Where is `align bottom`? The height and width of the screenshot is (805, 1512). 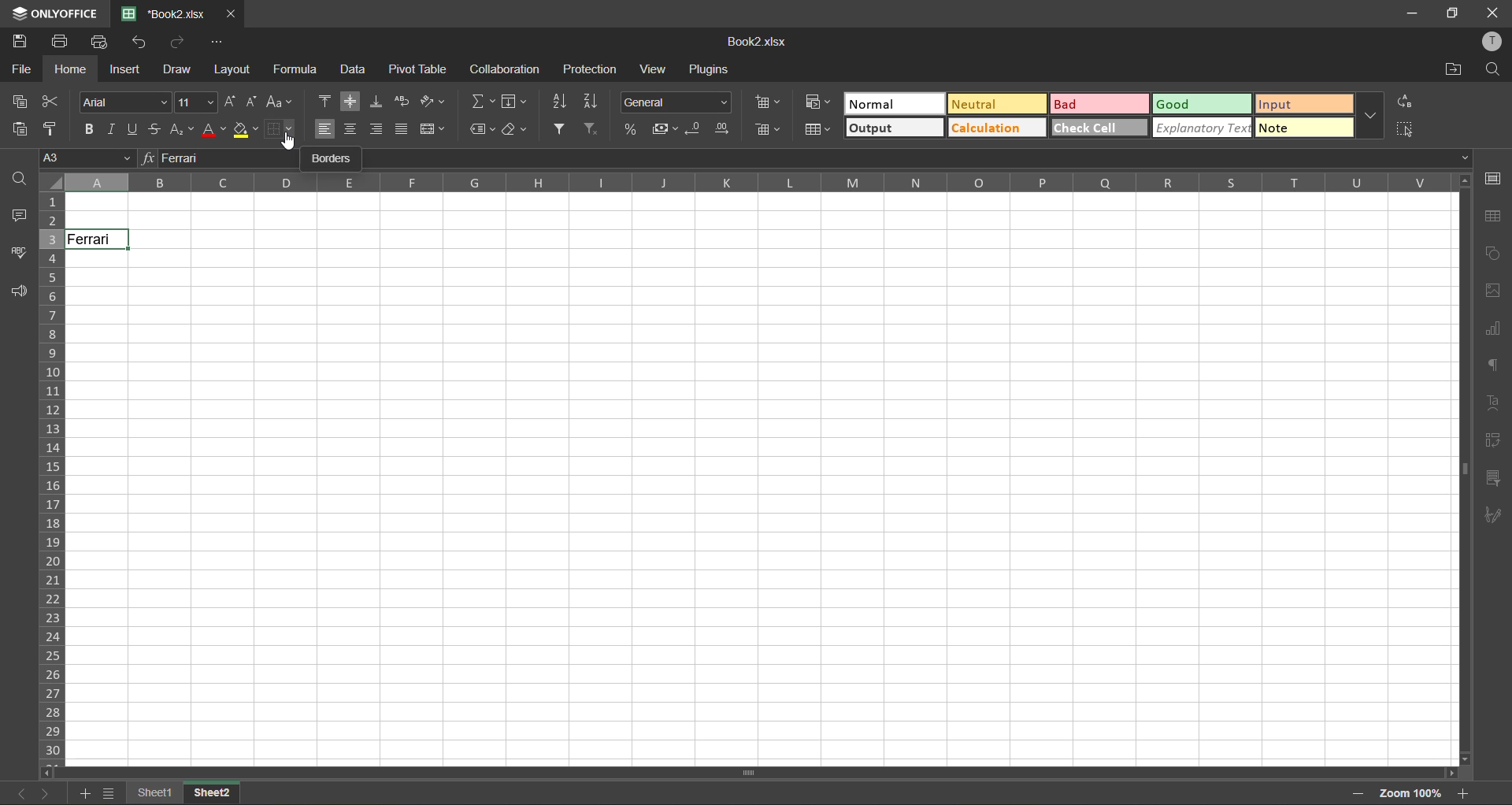 align bottom is located at coordinates (377, 101).